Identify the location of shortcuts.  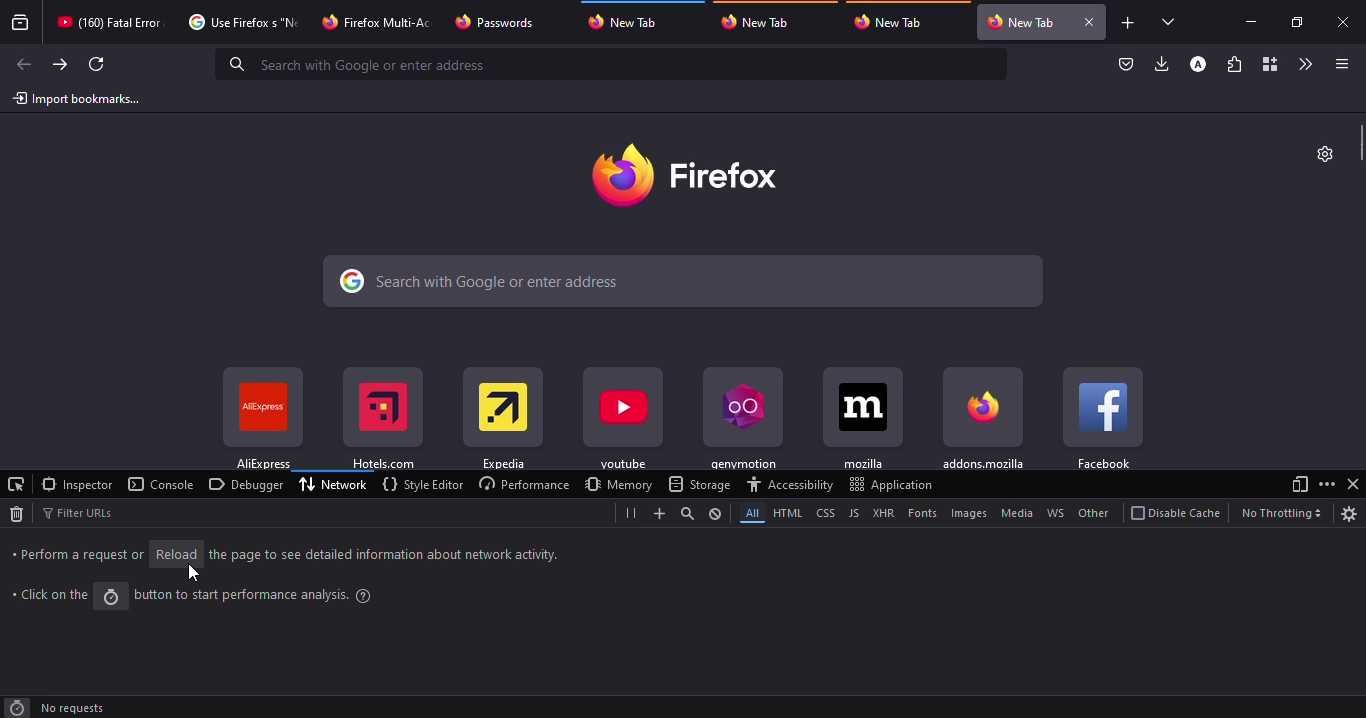
(382, 420).